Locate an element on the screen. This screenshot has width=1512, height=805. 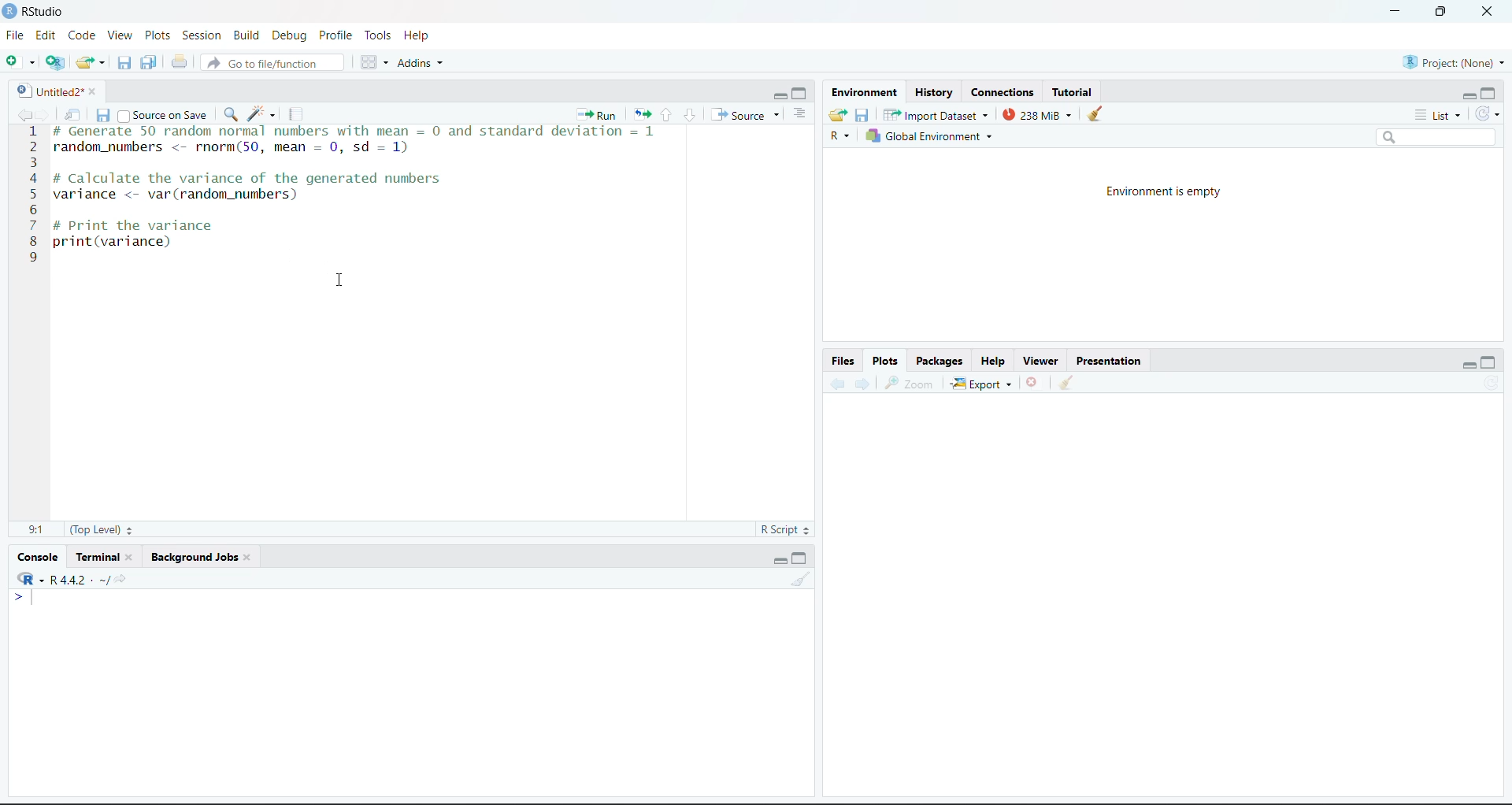
Environment is located at coordinates (864, 93).